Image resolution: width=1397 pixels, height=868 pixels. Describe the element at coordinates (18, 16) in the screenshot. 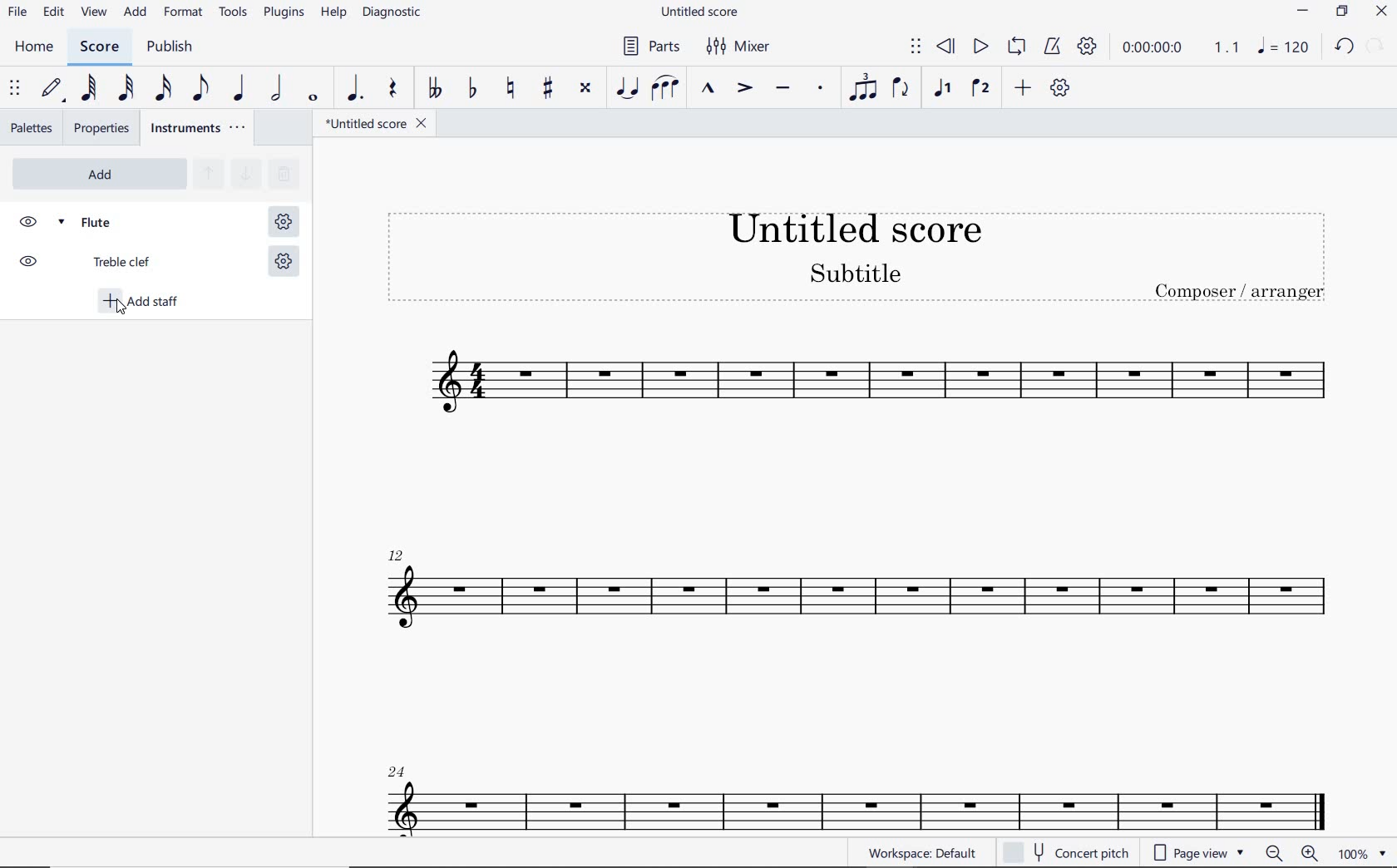

I see `file` at that location.